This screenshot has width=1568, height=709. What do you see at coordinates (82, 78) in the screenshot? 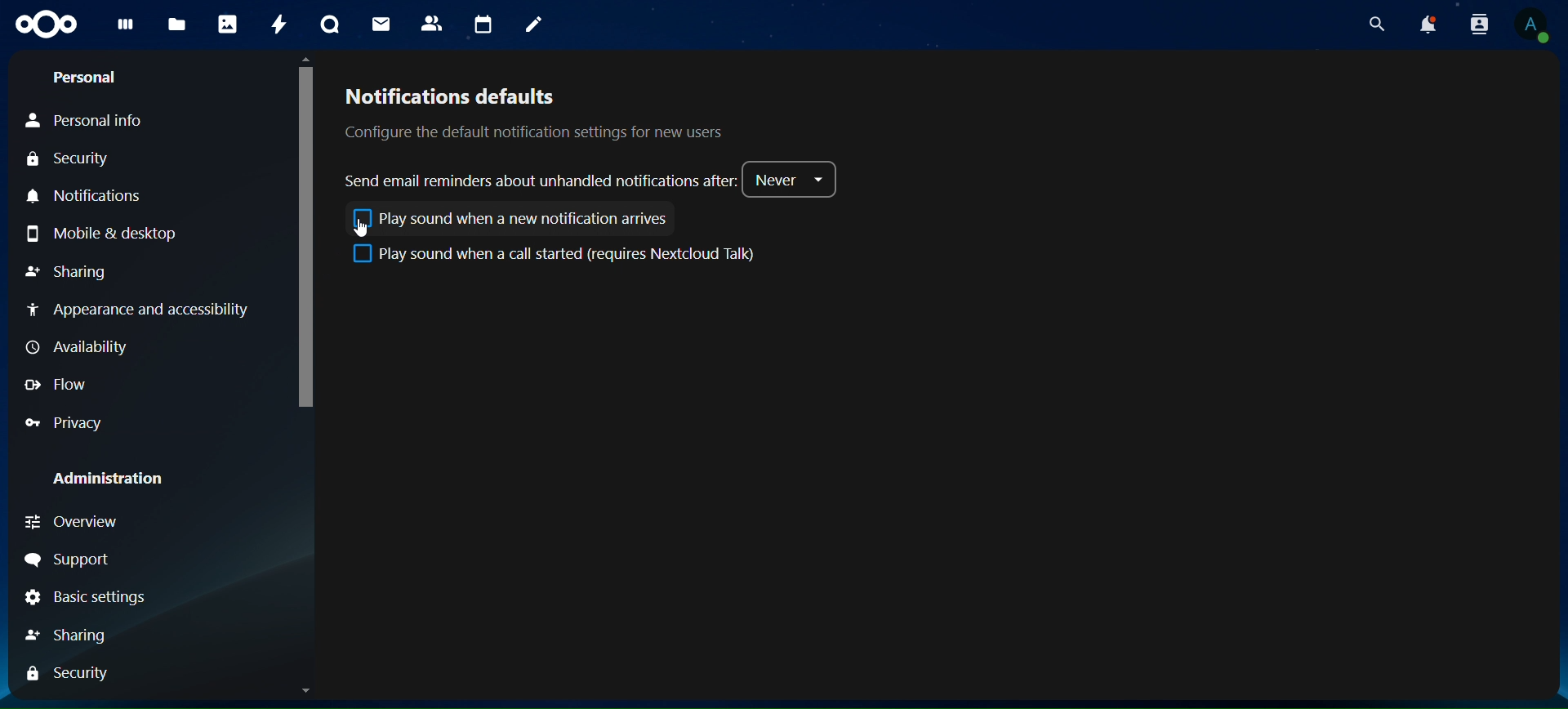
I see `Personal` at bounding box center [82, 78].